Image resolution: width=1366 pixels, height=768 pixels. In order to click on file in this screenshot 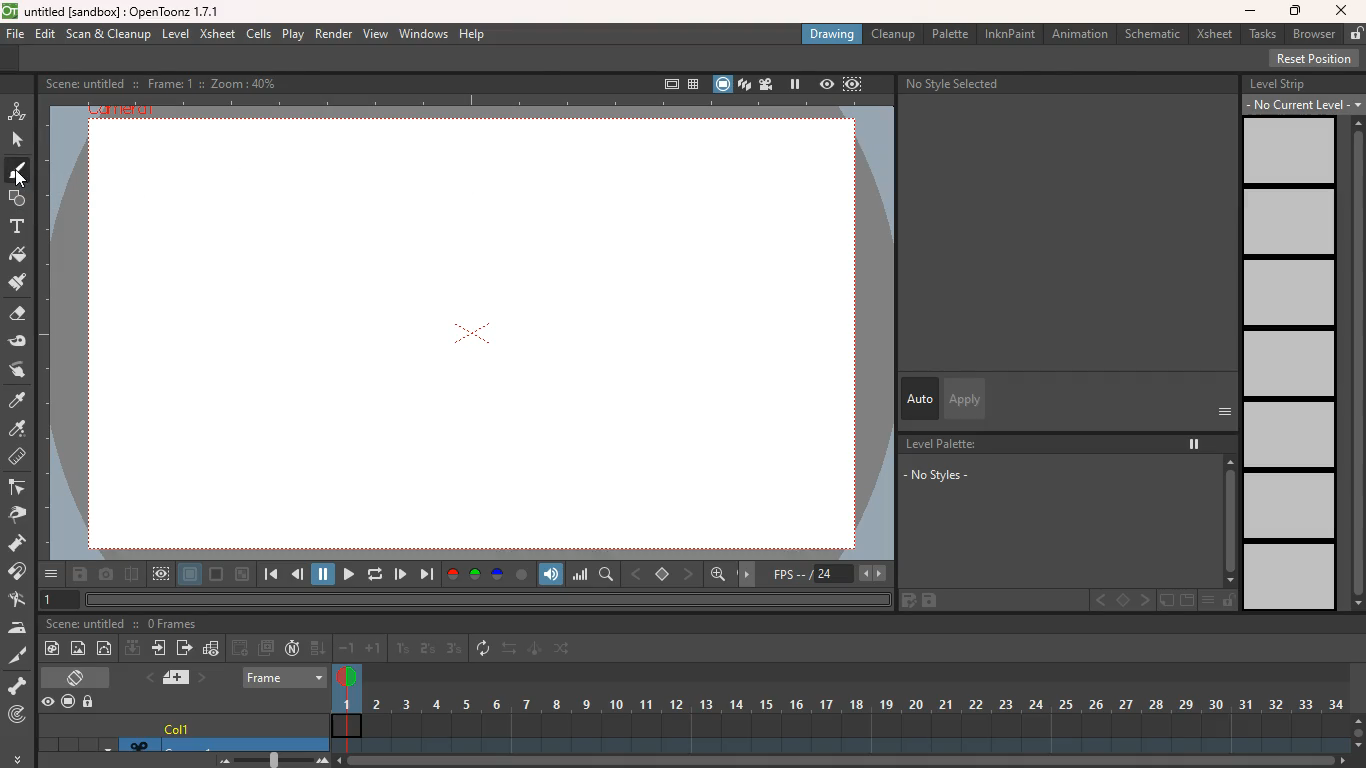, I will do `click(15, 36)`.